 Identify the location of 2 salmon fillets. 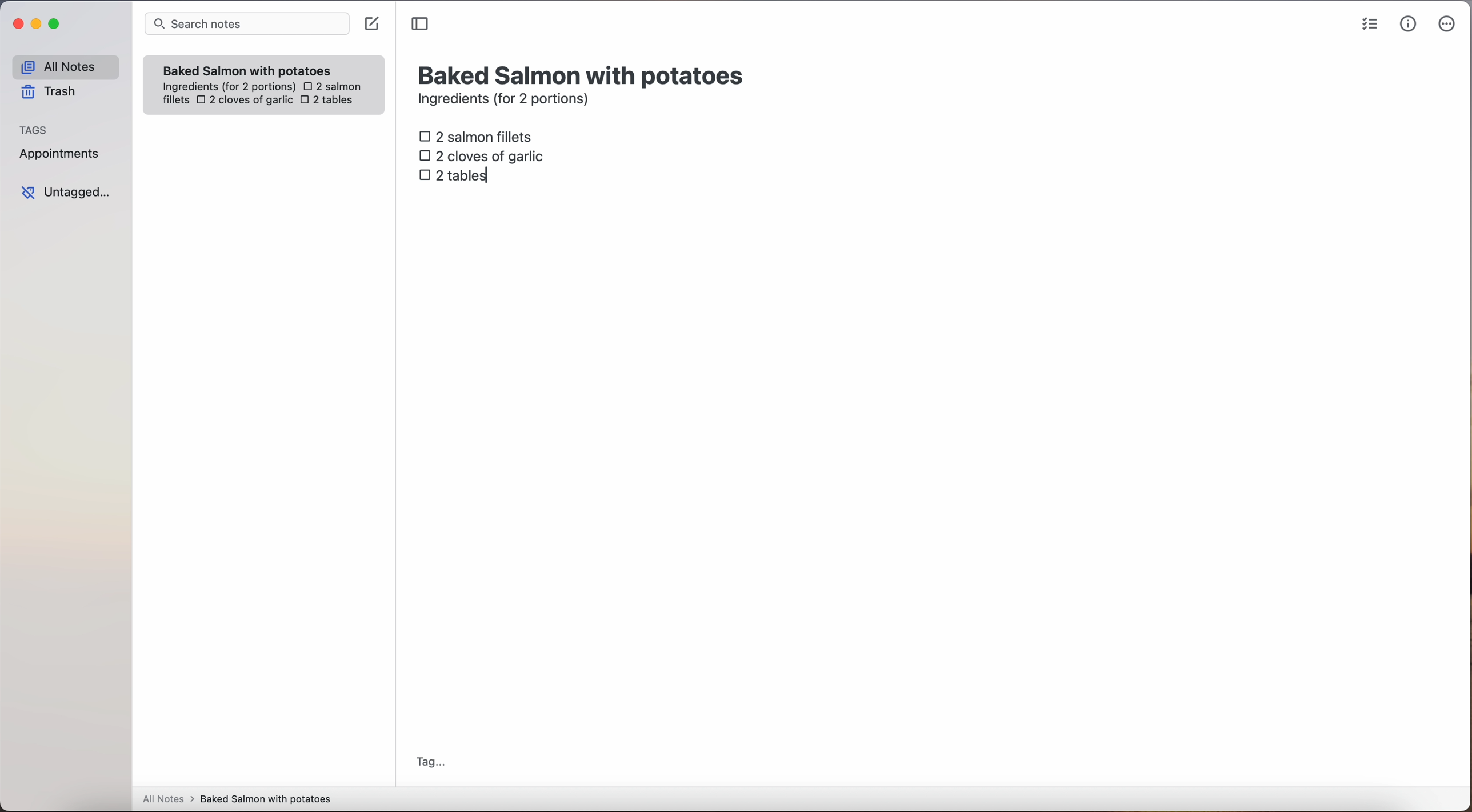
(479, 135).